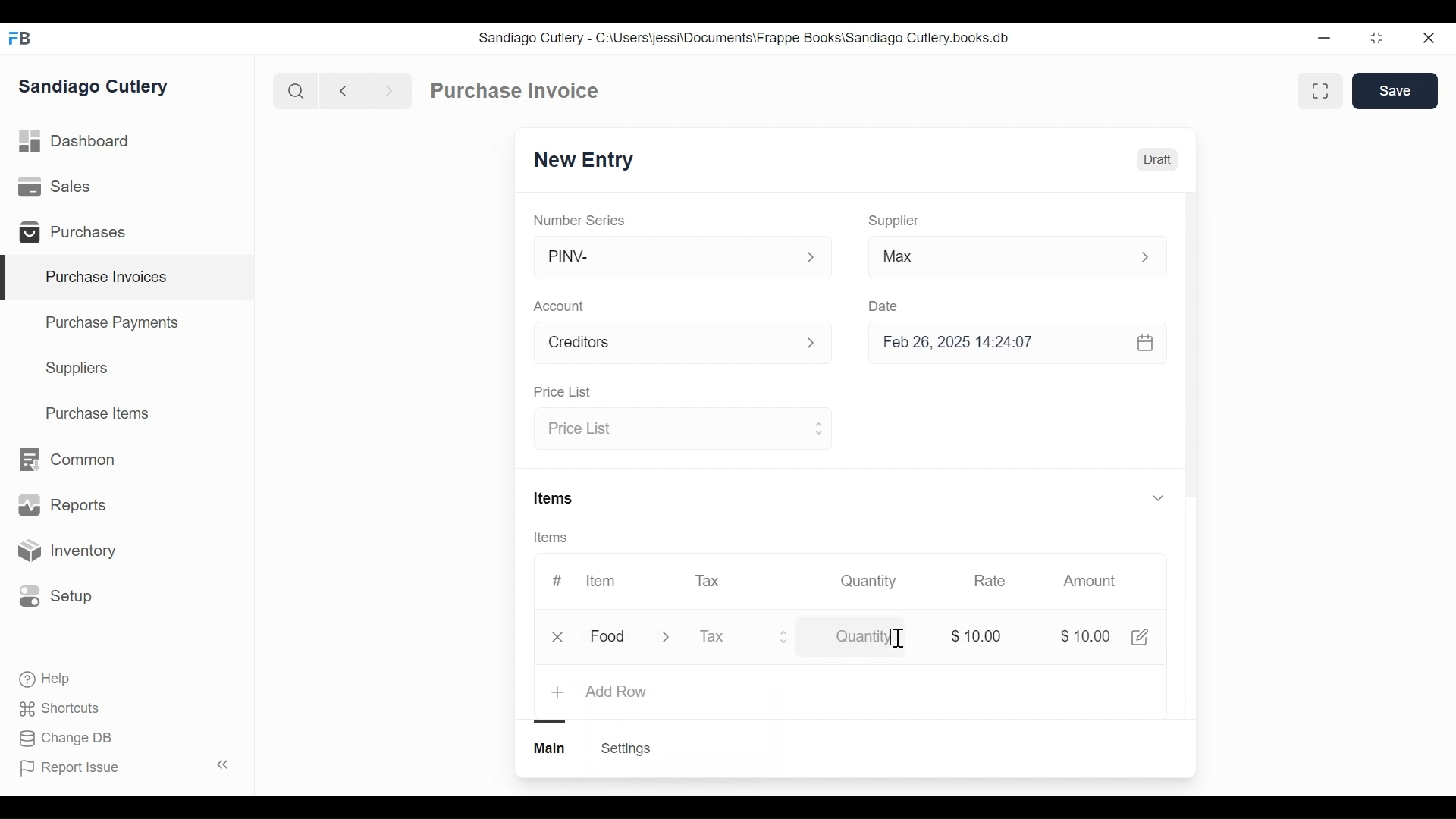 The width and height of the screenshot is (1456, 819). Describe the element at coordinates (388, 89) in the screenshot. I see `Navigate forward` at that location.